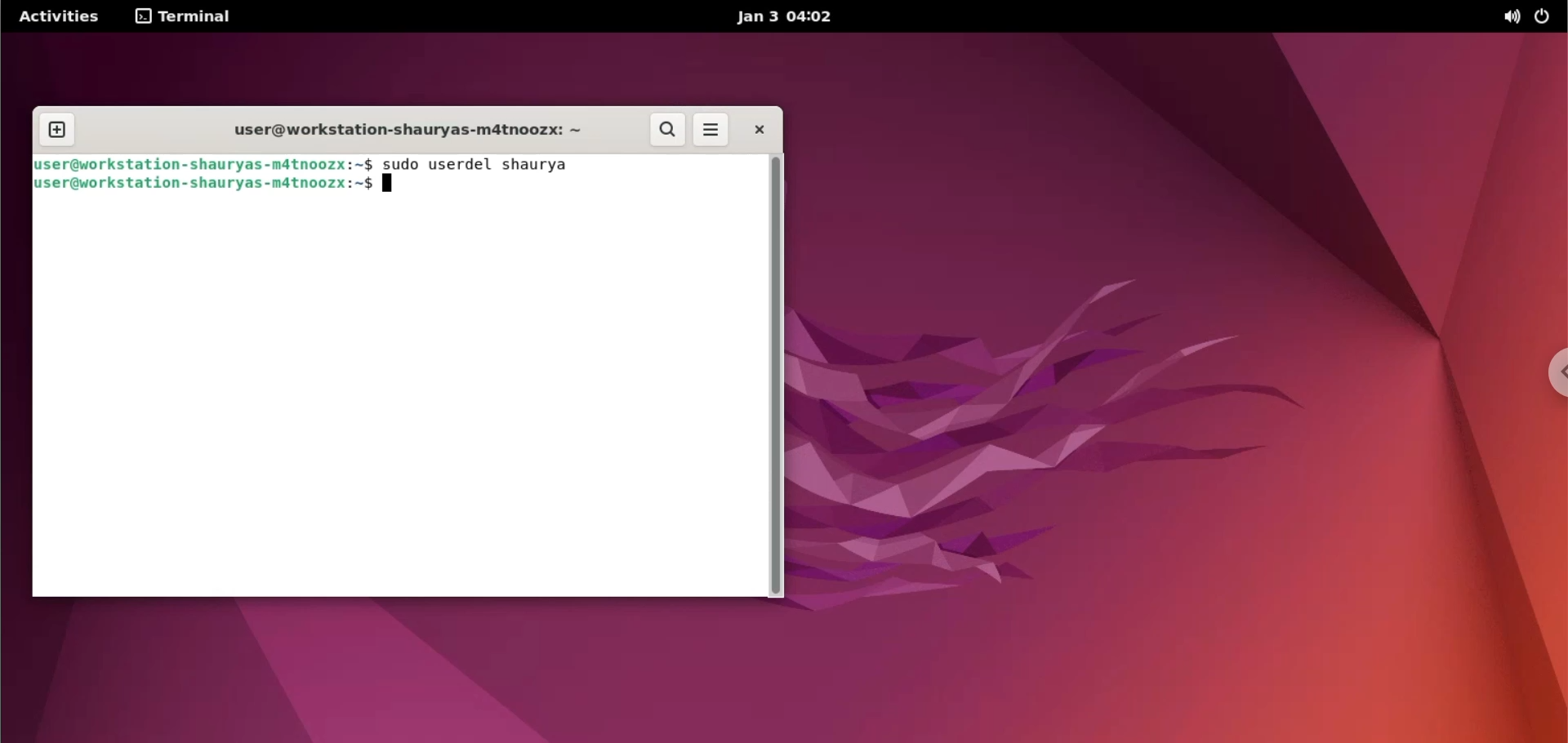  Describe the element at coordinates (667, 130) in the screenshot. I see `search` at that location.